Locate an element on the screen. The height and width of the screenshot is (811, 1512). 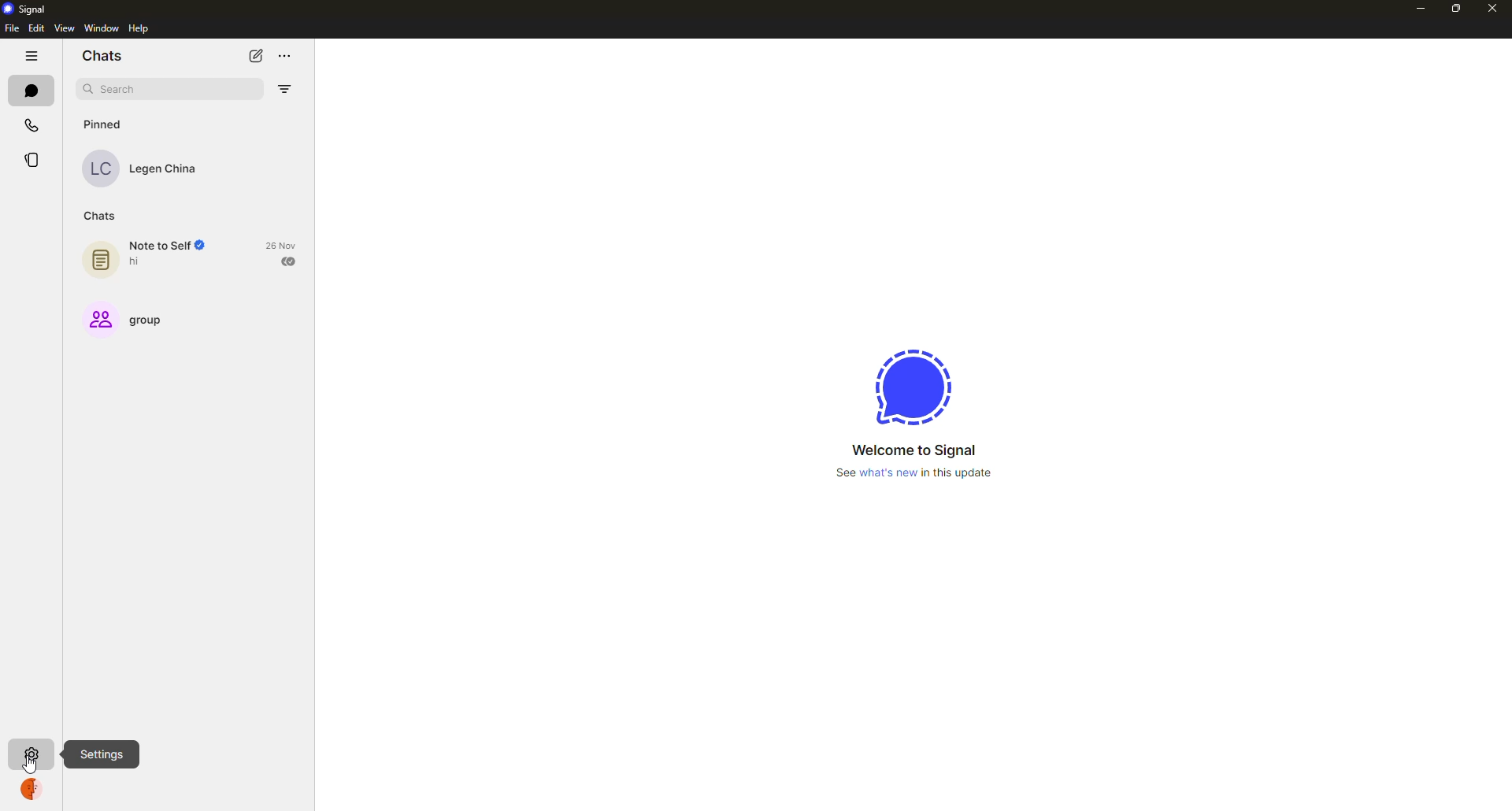
what's new is located at coordinates (914, 475).